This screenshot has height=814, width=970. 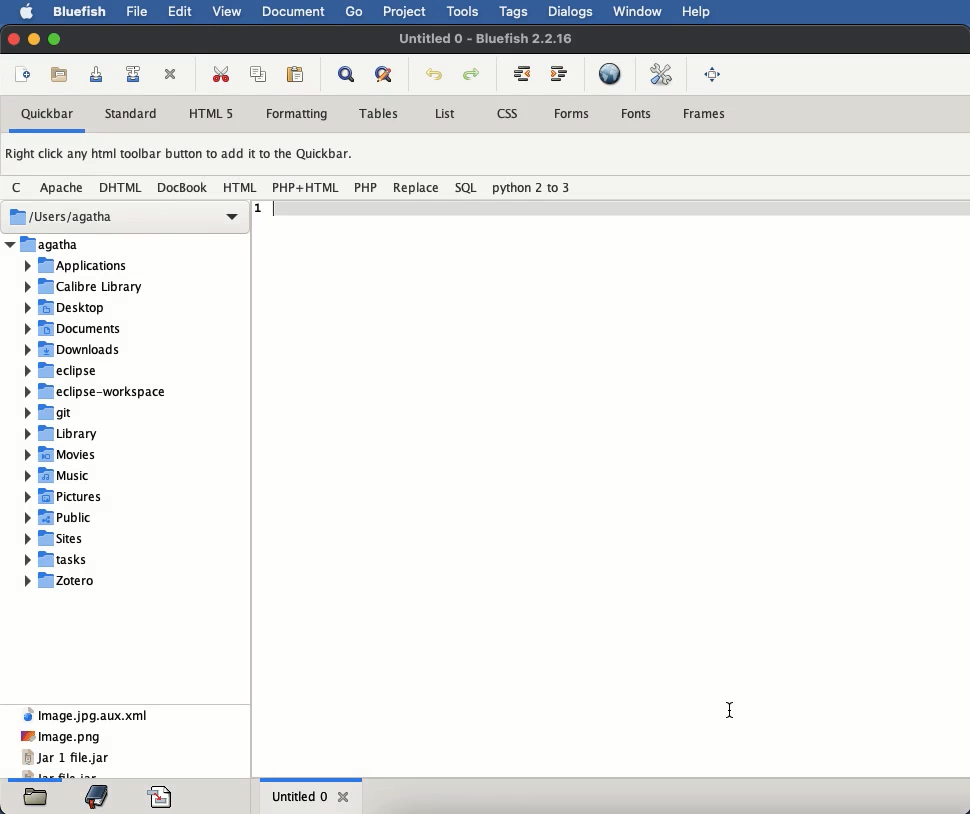 I want to click on minimize, so click(x=35, y=40).